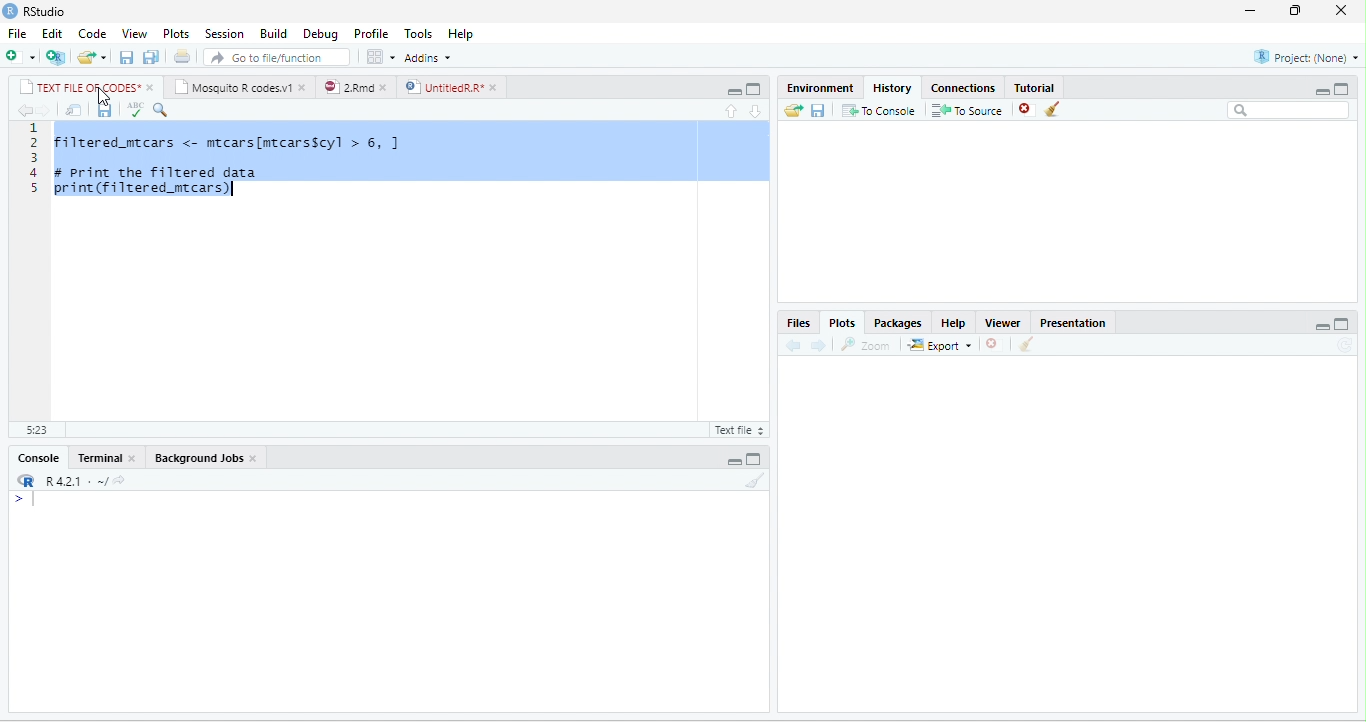  Describe the element at coordinates (1250, 11) in the screenshot. I see `minimize` at that location.